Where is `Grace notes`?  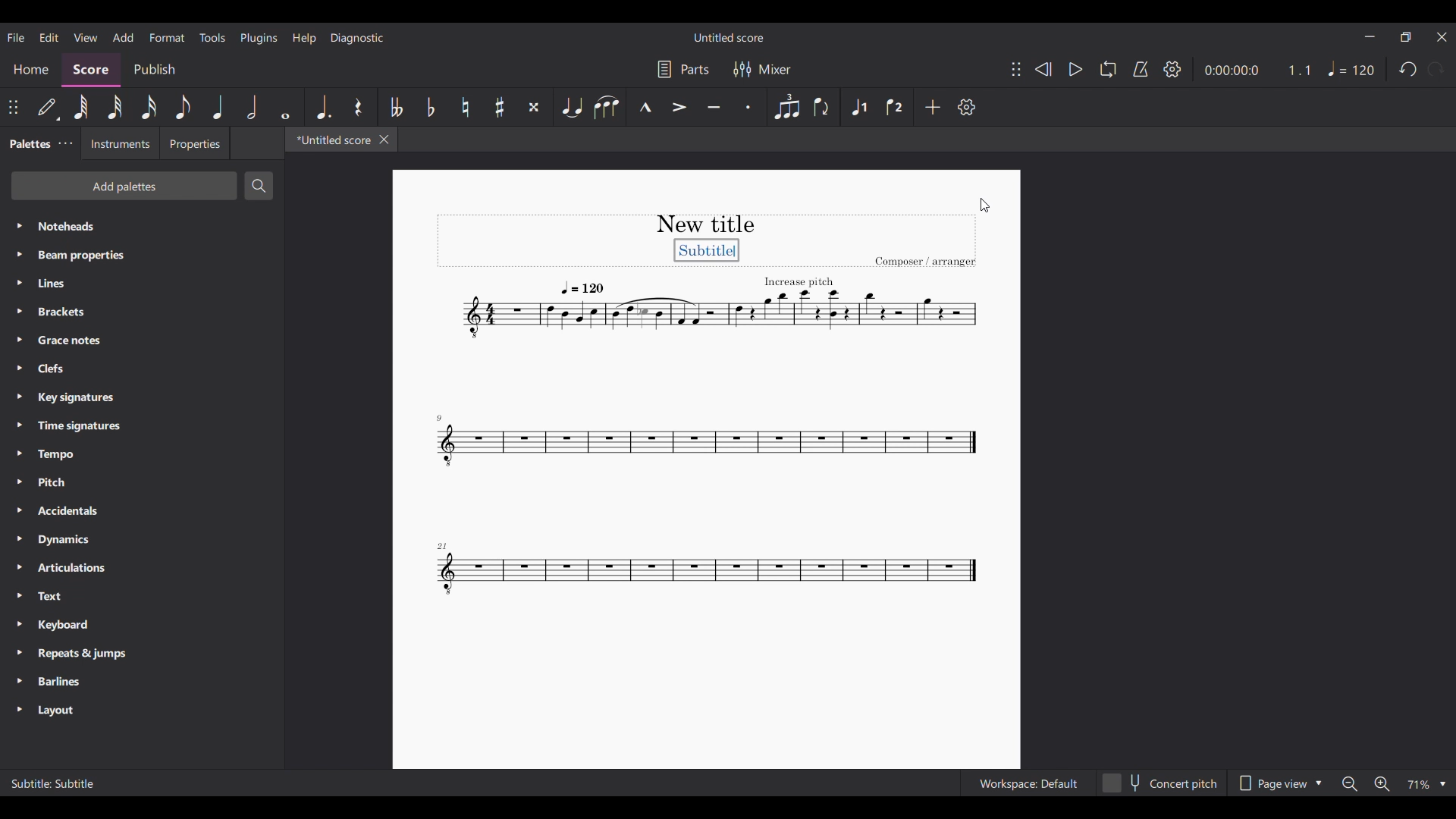
Grace notes is located at coordinates (141, 340).